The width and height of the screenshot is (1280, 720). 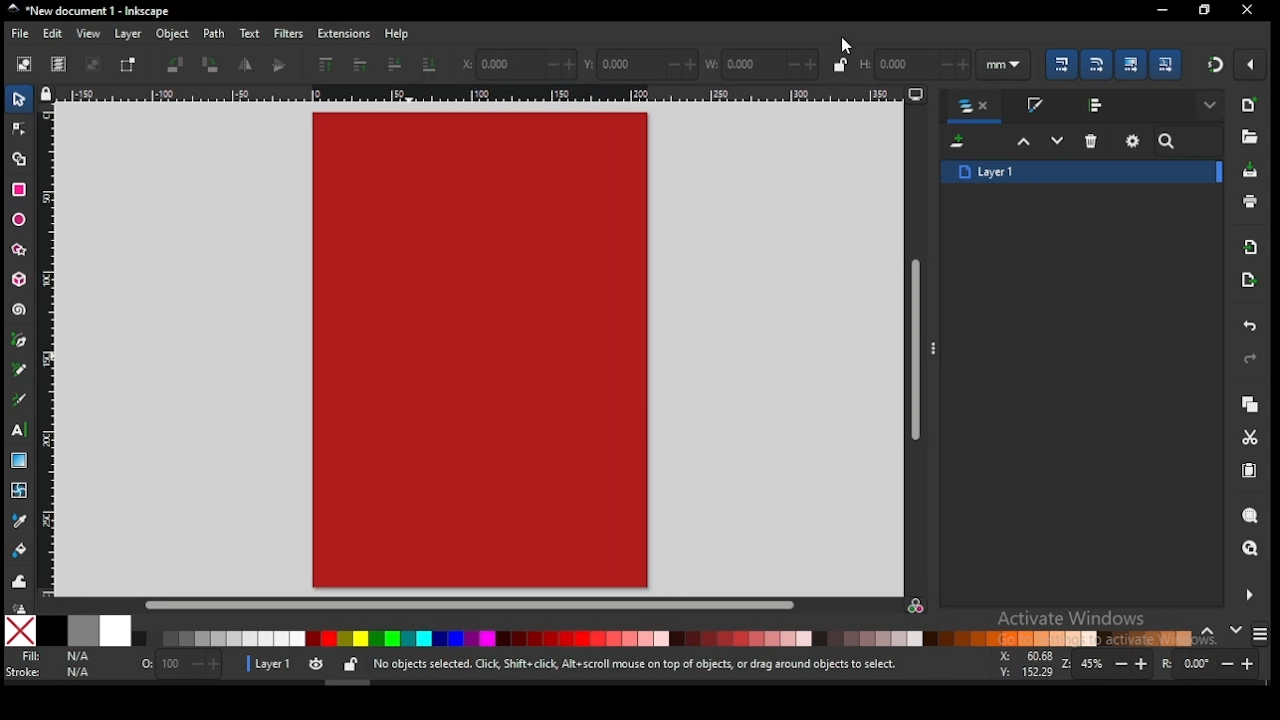 What do you see at coordinates (21, 98) in the screenshot?
I see `select` at bounding box center [21, 98].